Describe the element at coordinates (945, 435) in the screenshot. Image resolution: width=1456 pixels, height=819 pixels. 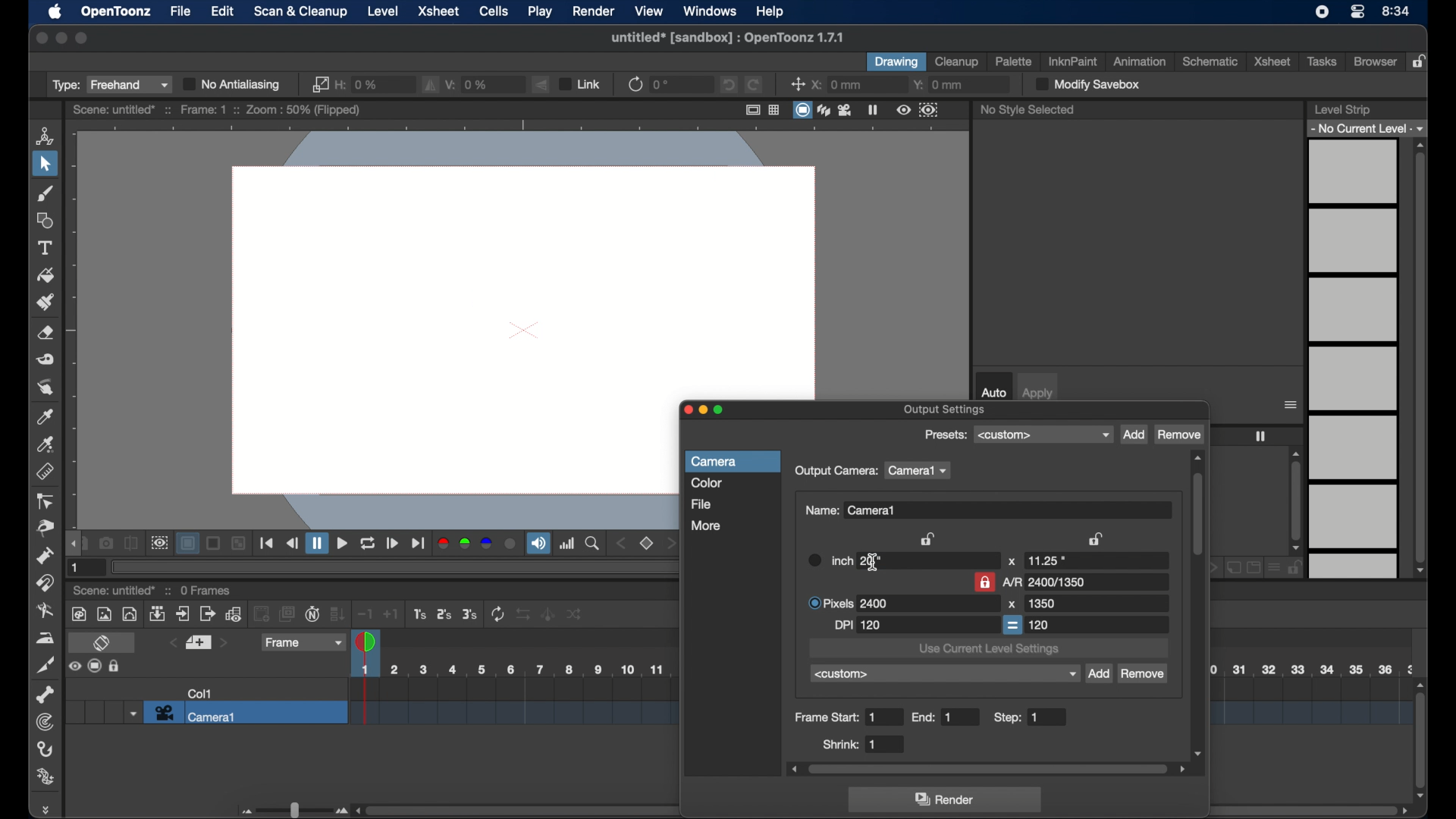
I see `` at that location.